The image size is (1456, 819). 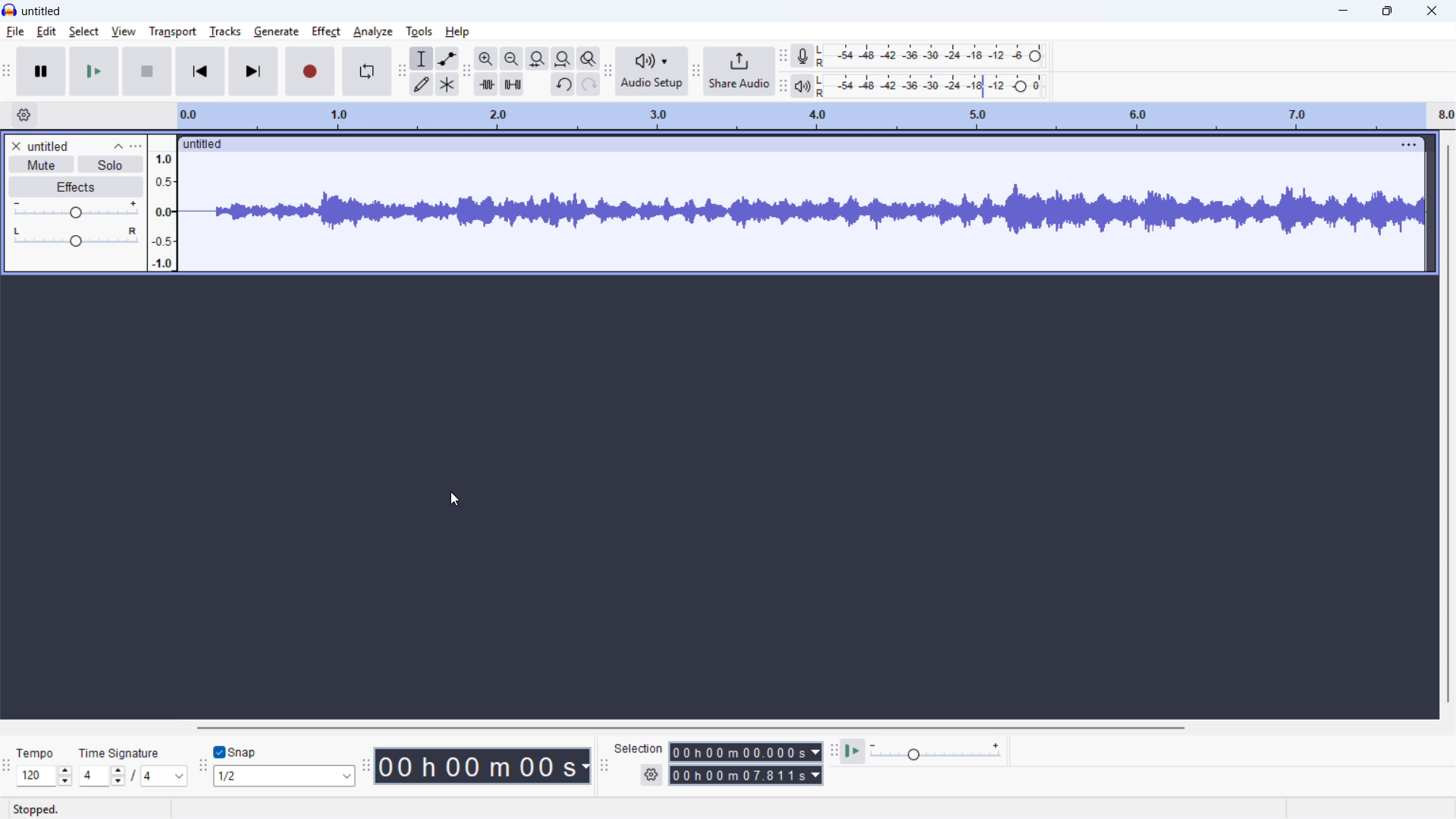 I want to click on mute, so click(x=40, y=165).